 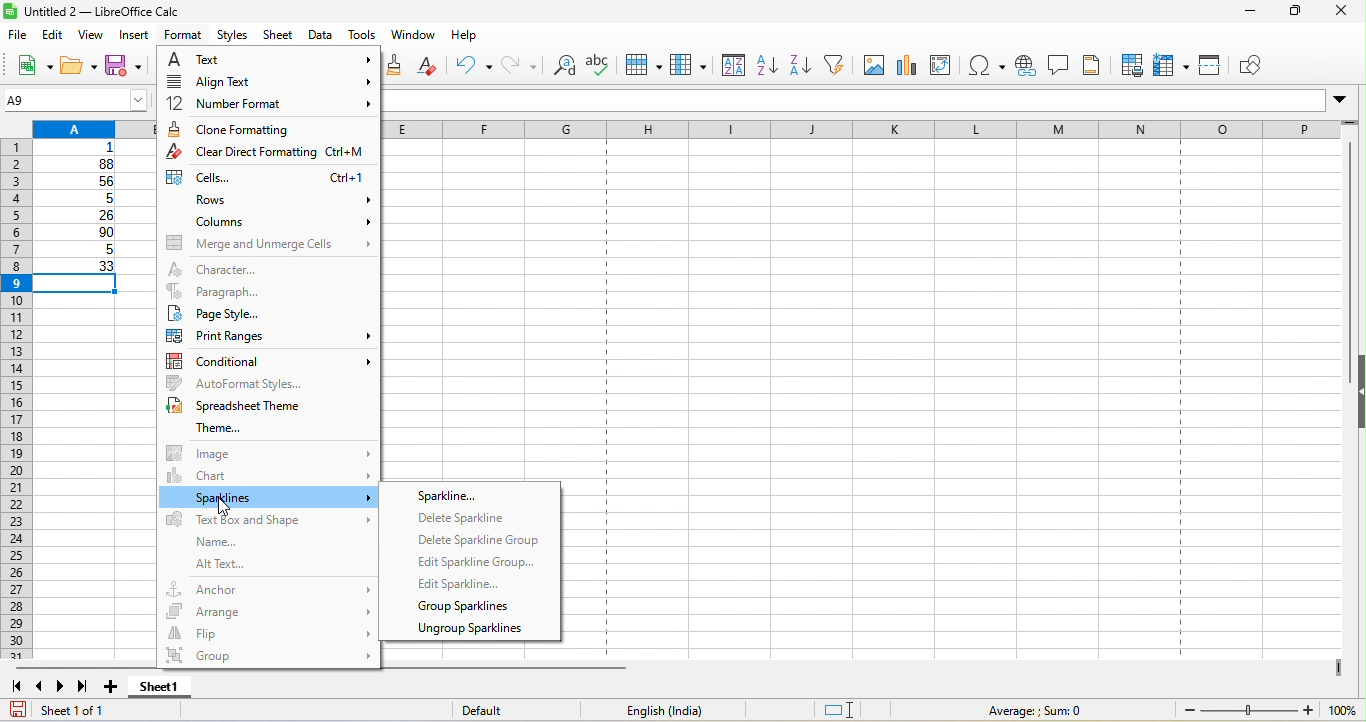 I want to click on edit pivot table, so click(x=946, y=65).